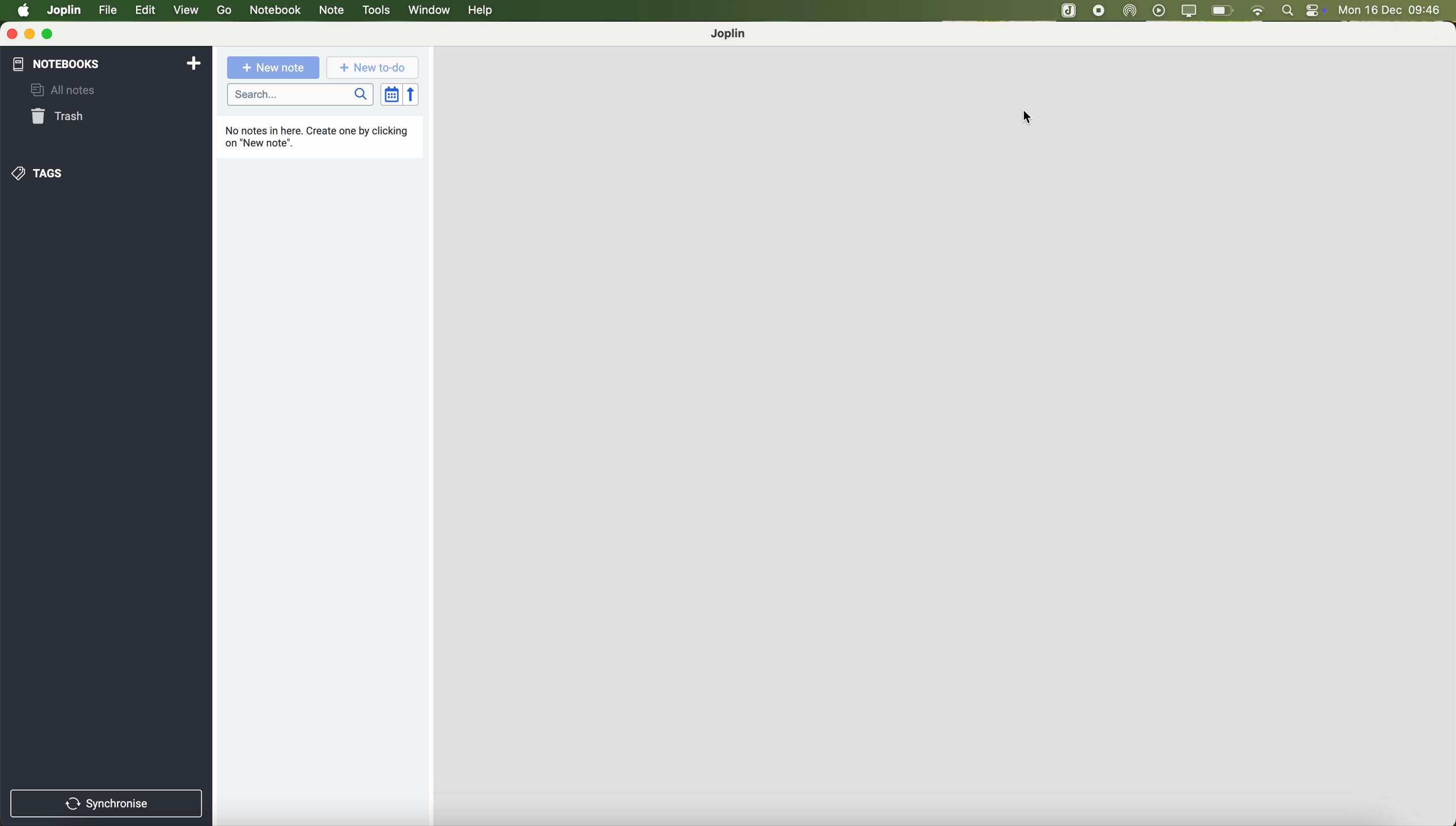  I want to click on toggle sort order field, so click(389, 94).